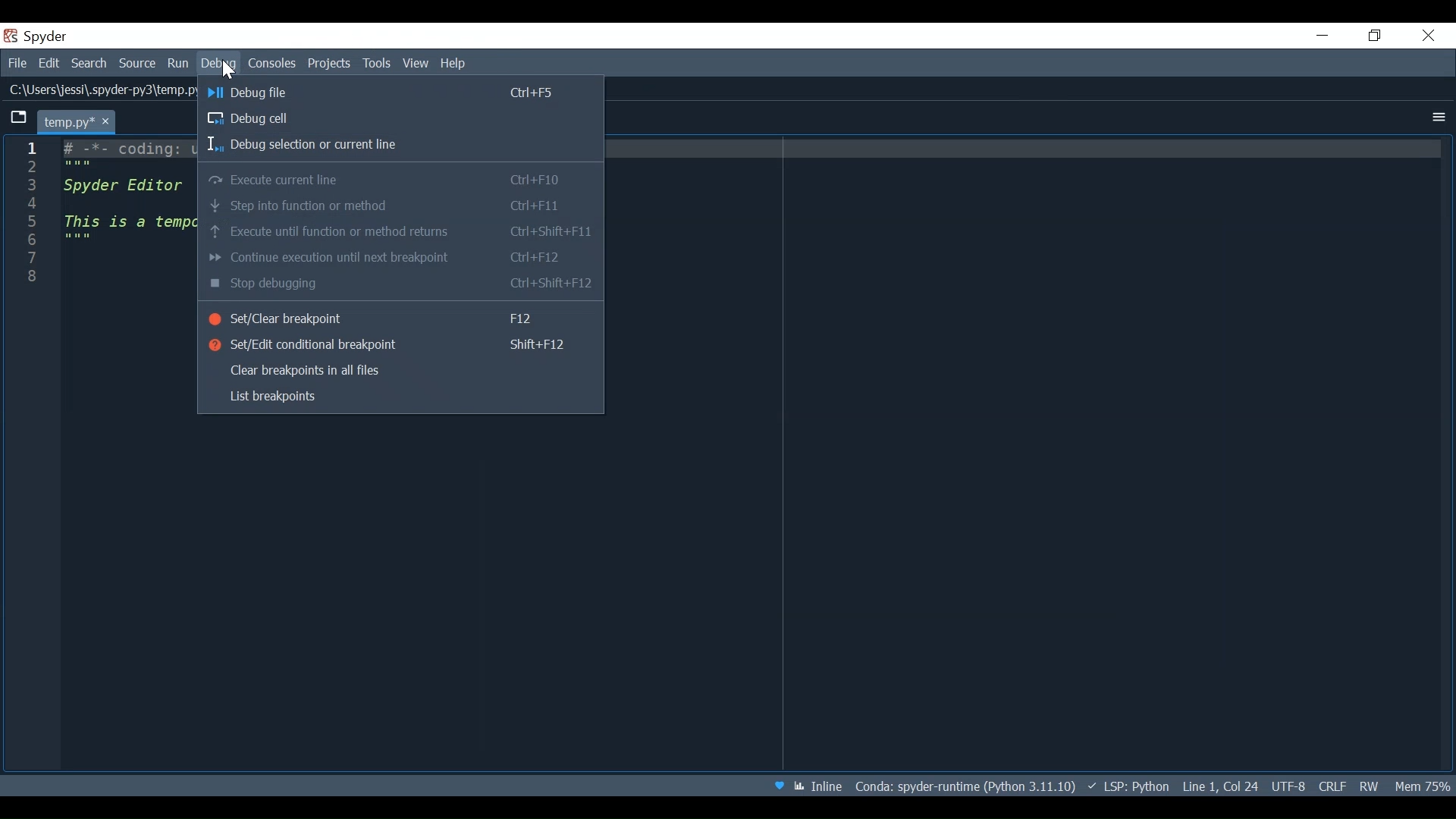  What do you see at coordinates (398, 320) in the screenshot?
I see `Set/Clear breakpoint` at bounding box center [398, 320].